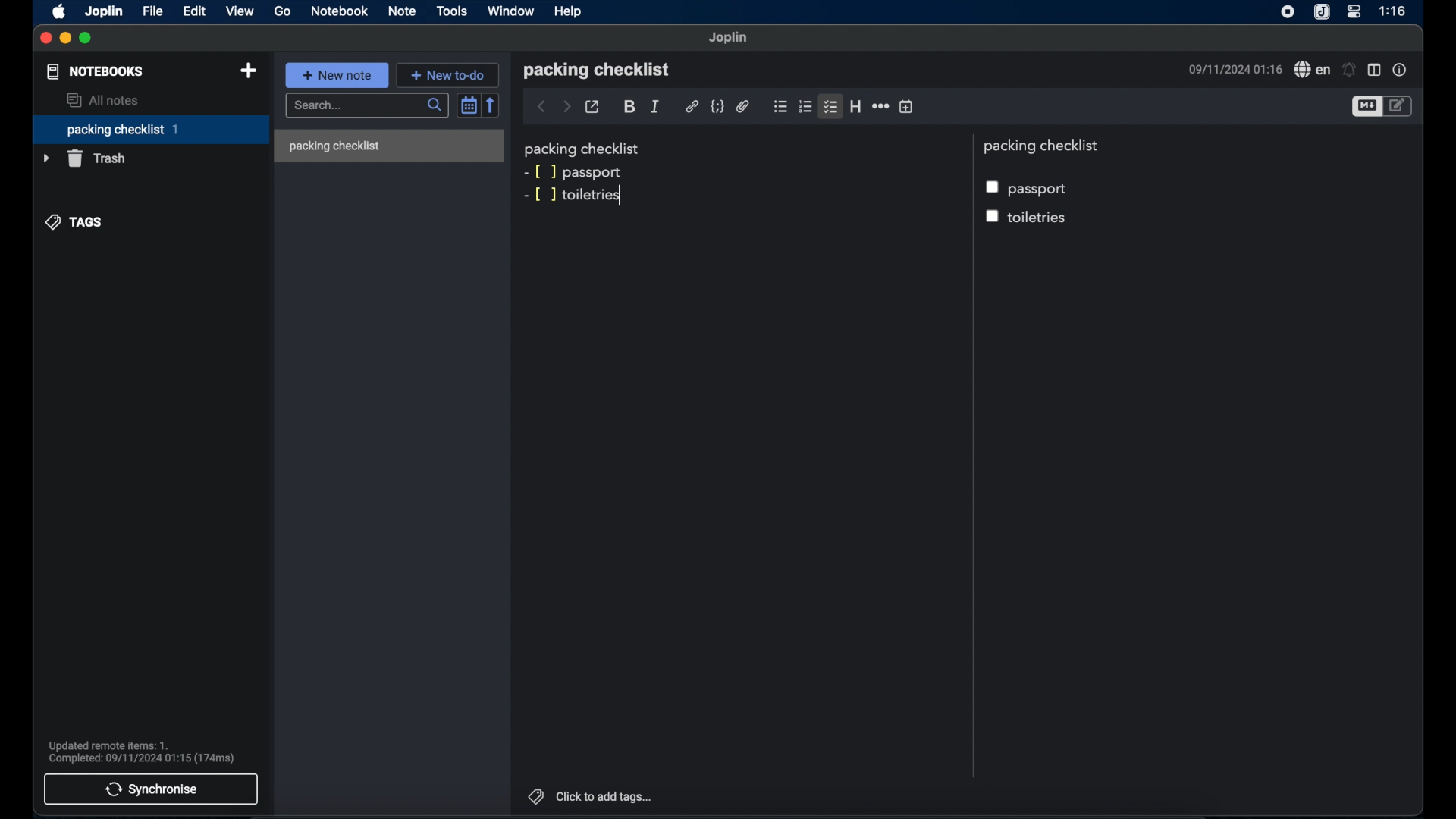 The height and width of the screenshot is (819, 1456). What do you see at coordinates (74, 223) in the screenshot?
I see `tags` at bounding box center [74, 223].